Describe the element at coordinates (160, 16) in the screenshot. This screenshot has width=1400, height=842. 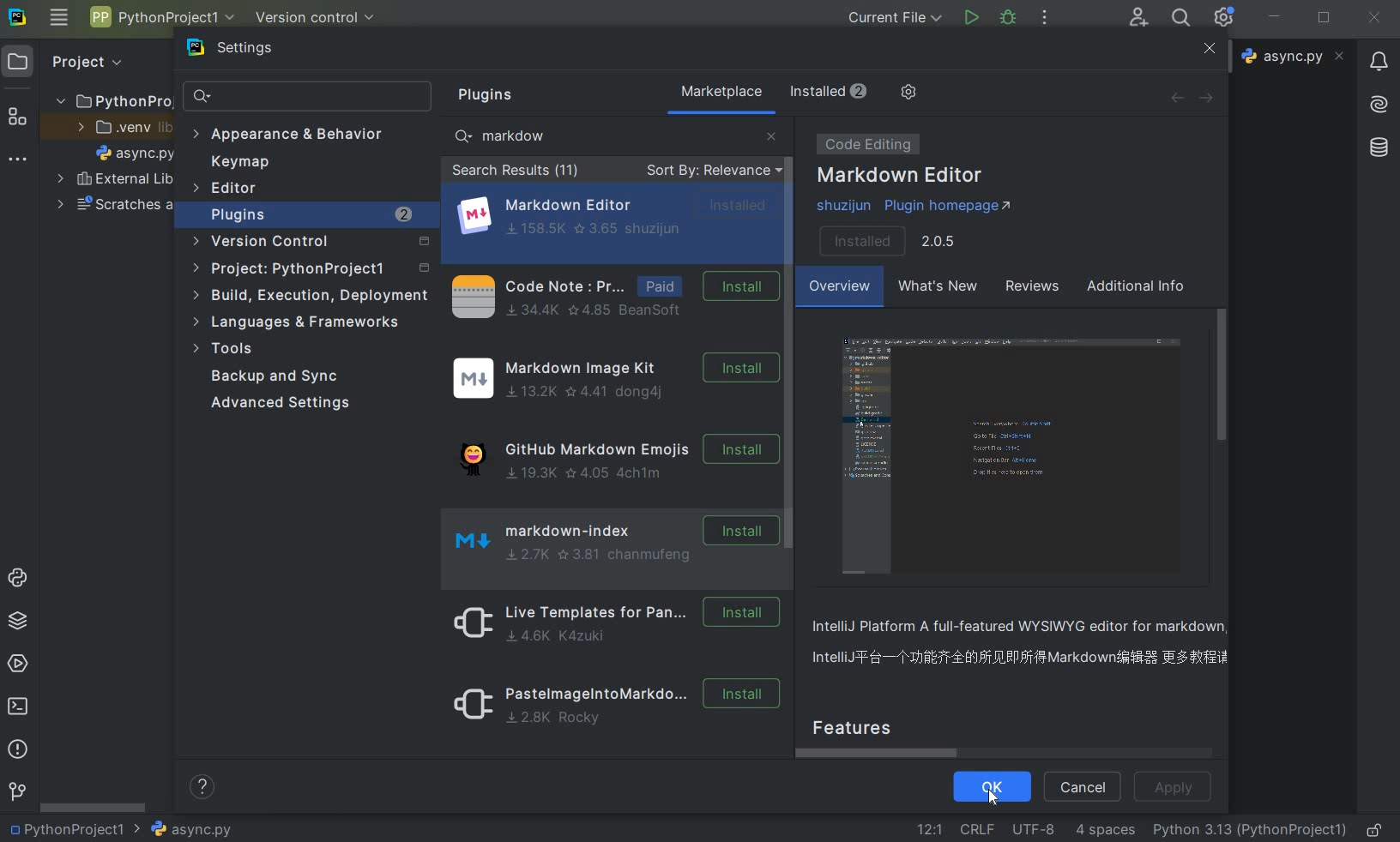
I see `project name` at that location.